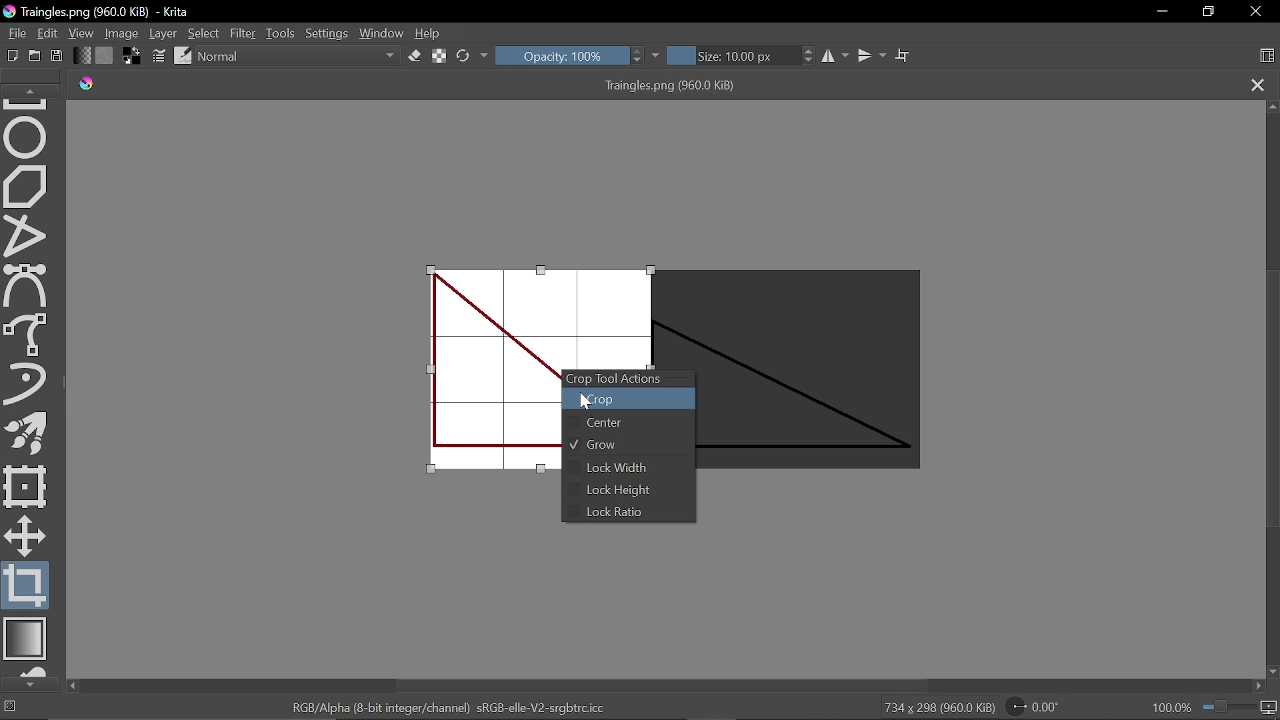  I want to click on Vertical mirror tool, so click(873, 55).